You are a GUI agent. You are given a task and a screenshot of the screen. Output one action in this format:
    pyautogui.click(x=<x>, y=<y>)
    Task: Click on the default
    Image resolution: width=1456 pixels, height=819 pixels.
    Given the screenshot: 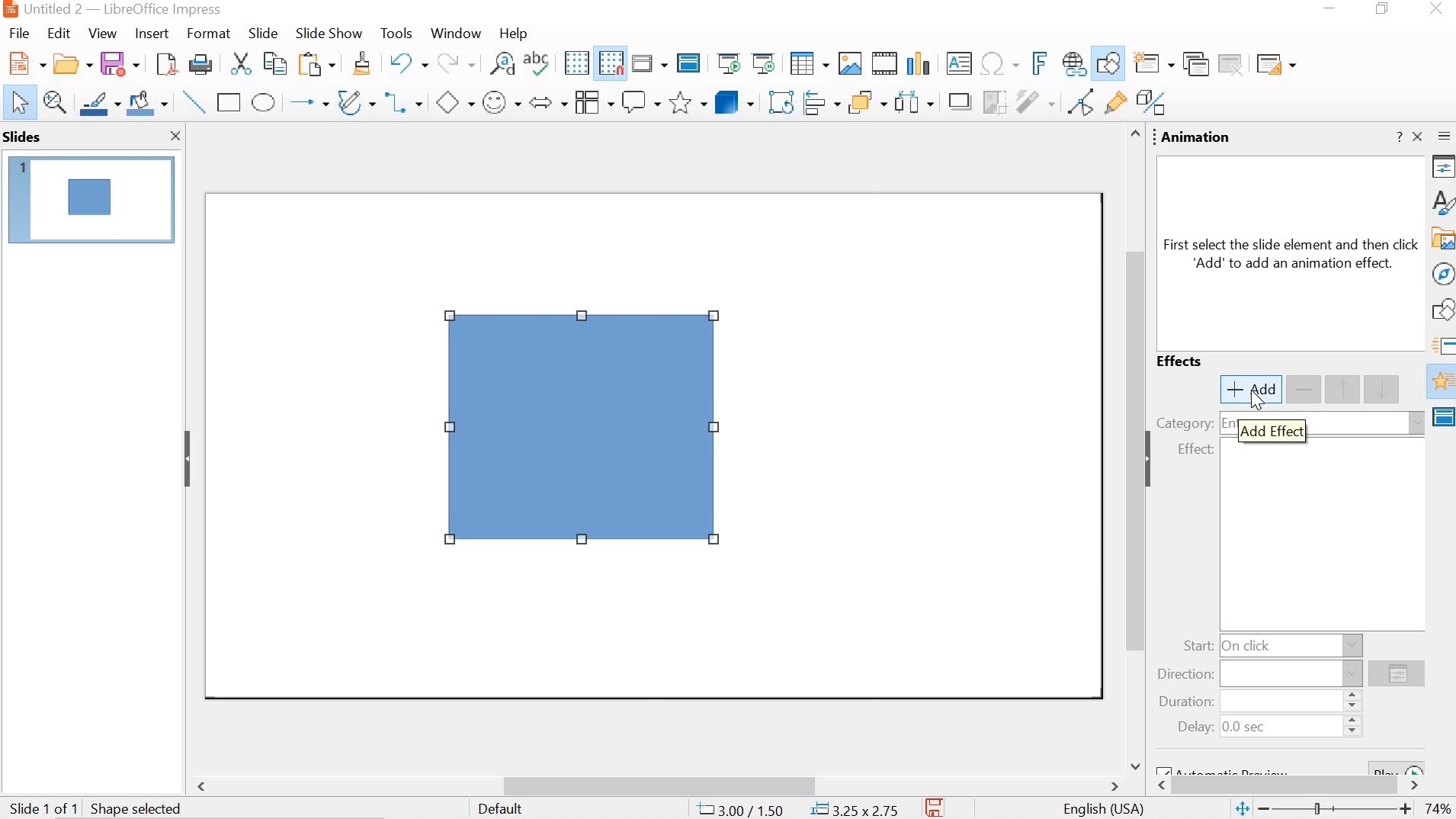 What is the action you would take?
    pyautogui.click(x=508, y=811)
    